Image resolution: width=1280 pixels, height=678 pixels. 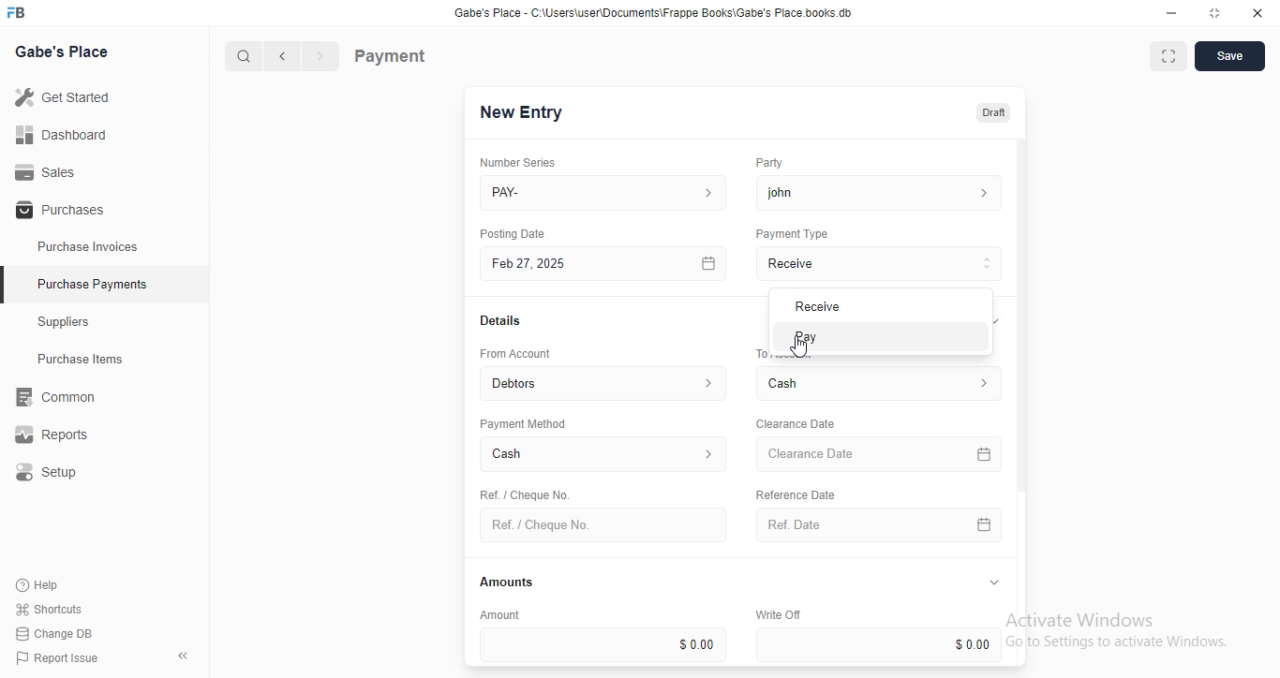 What do you see at coordinates (1229, 56) in the screenshot?
I see `Save` at bounding box center [1229, 56].